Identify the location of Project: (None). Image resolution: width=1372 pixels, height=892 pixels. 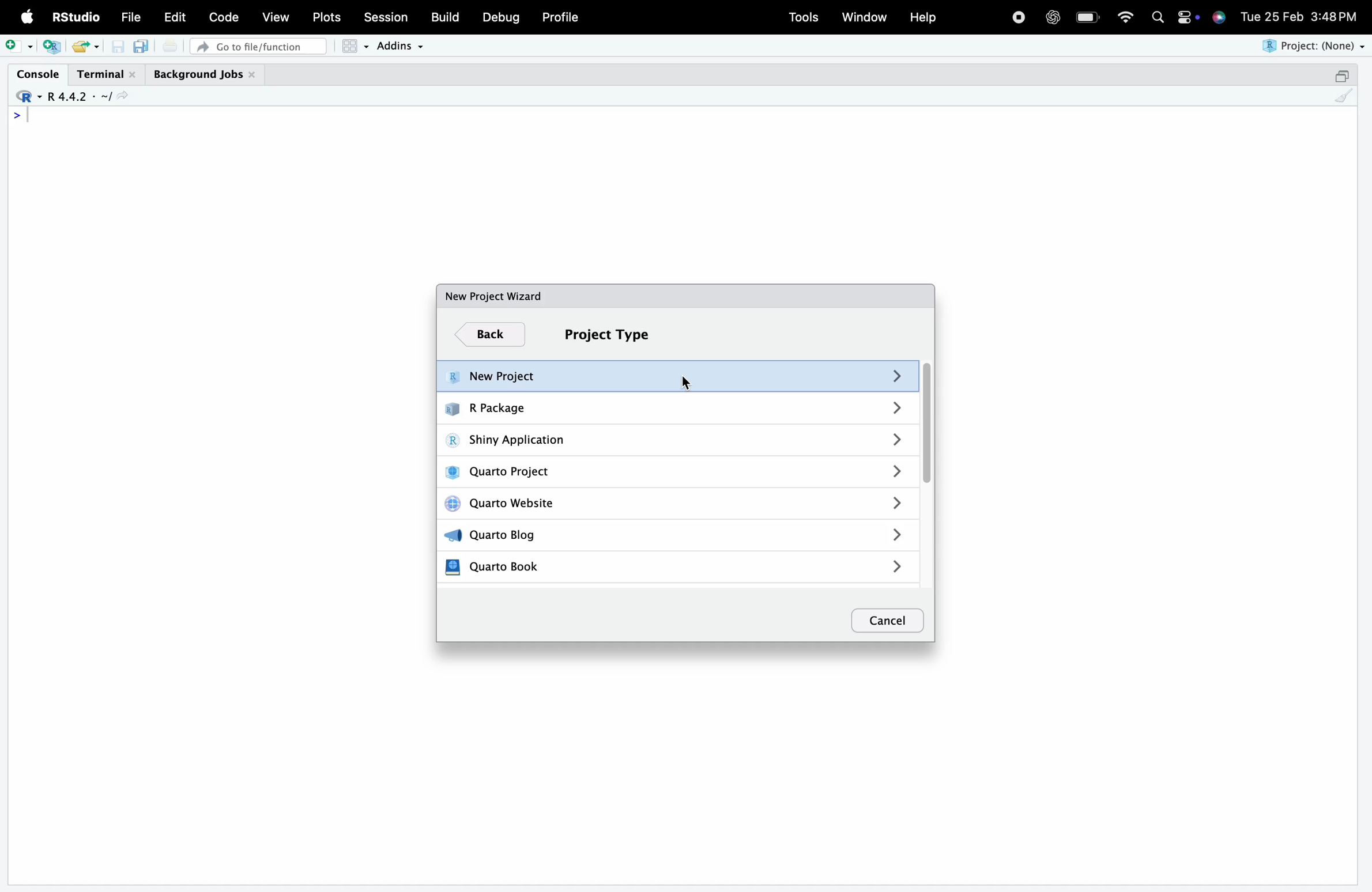
(1311, 46).